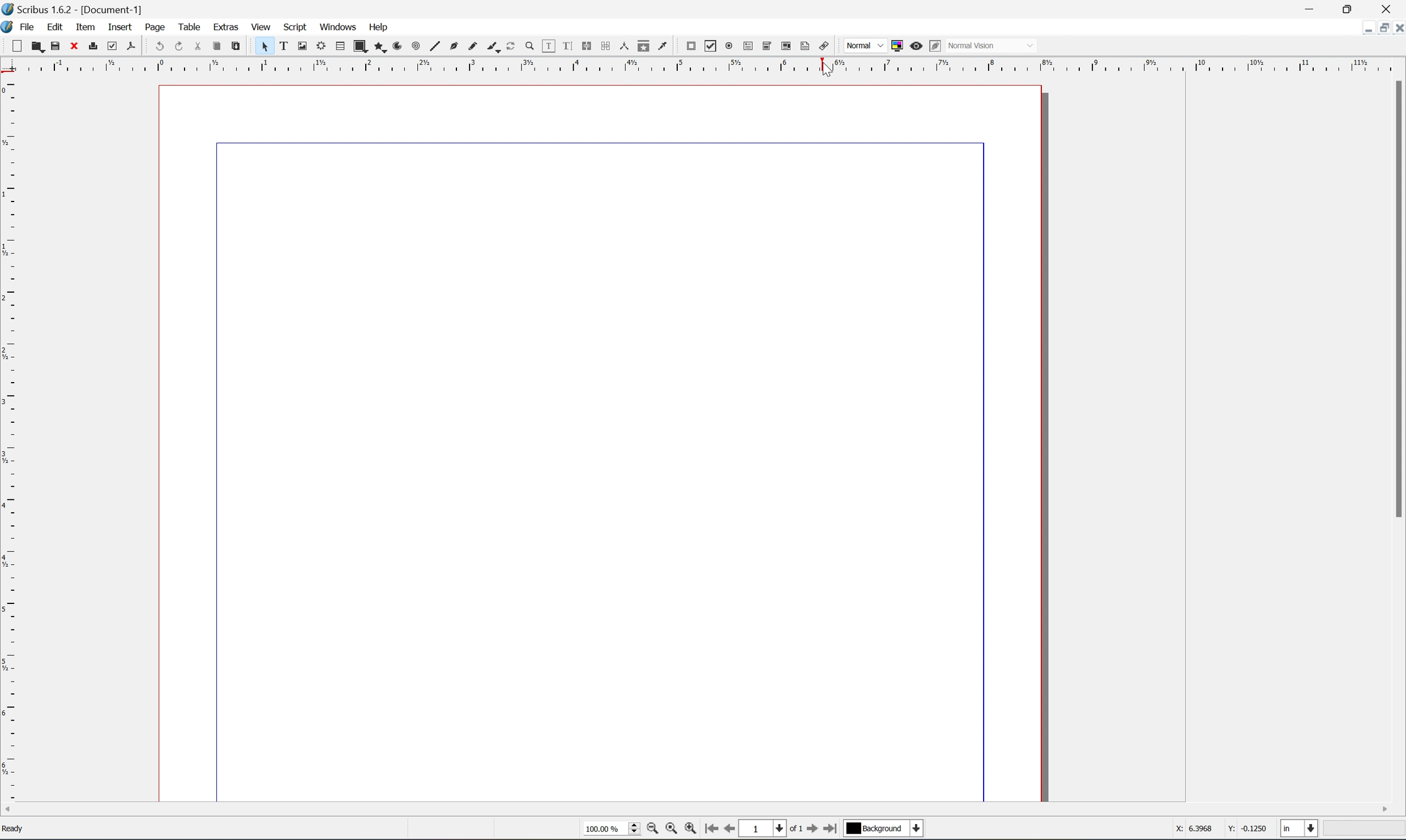 Image resolution: width=1406 pixels, height=840 pixels. What do you see at coordinates (625, 46) in the screenshot?
I see `measurements` at bounding box center [625, 46].